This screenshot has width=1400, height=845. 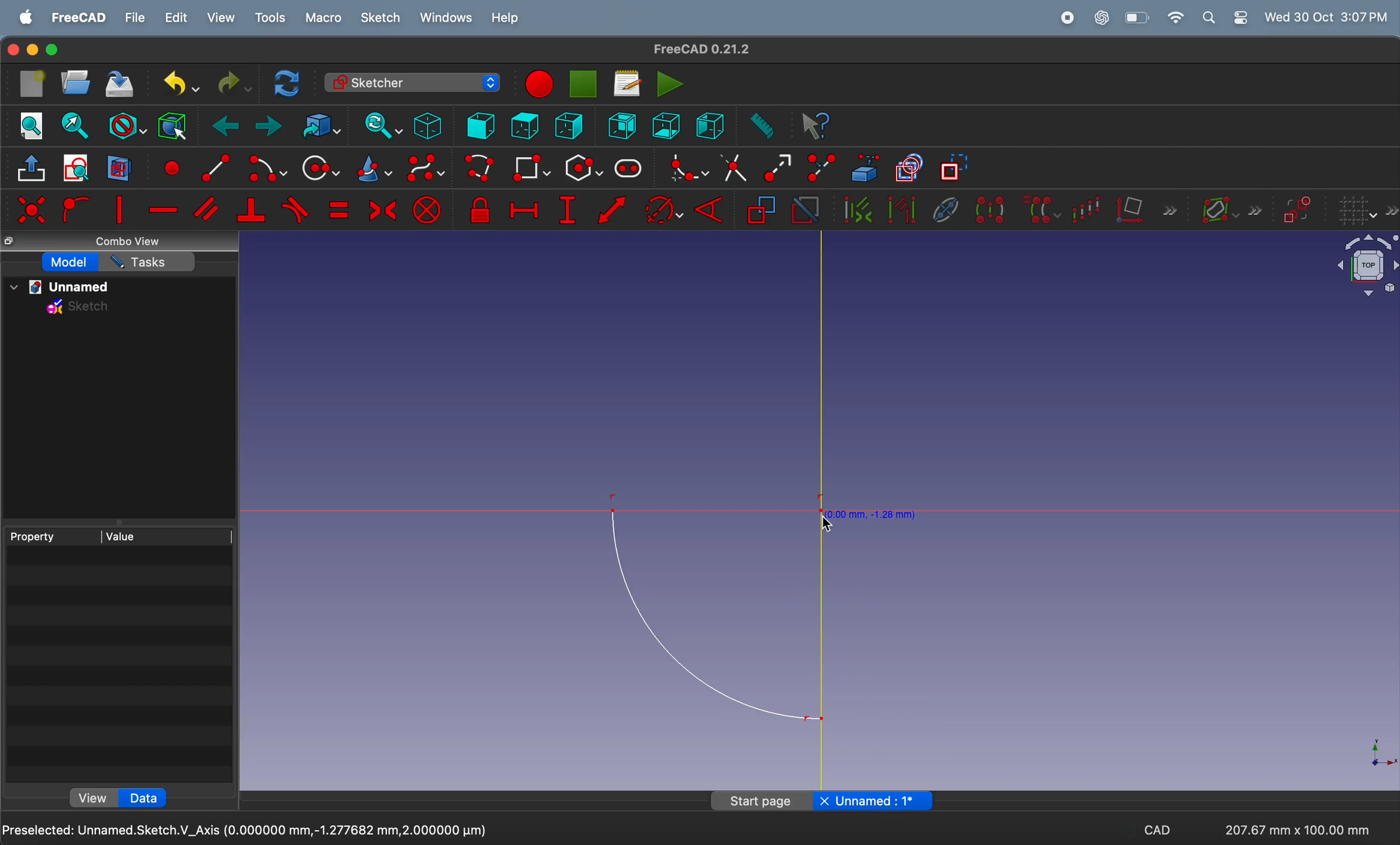 I want to click on bottom view, so click(x=668, y=124).